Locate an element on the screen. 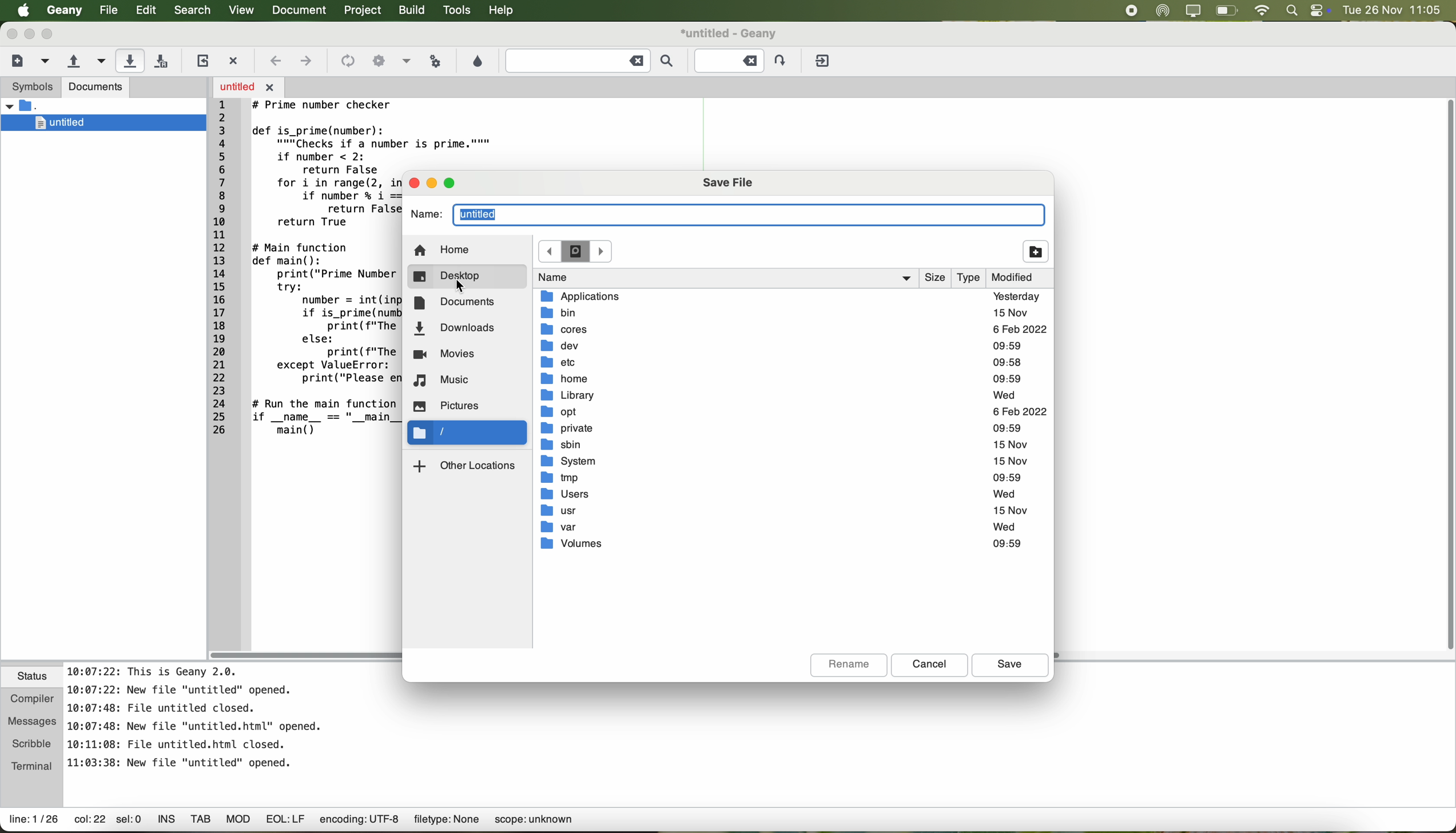 This screenshot has width=1456, height=833. date and hour is located at coordinates (1397, 10).